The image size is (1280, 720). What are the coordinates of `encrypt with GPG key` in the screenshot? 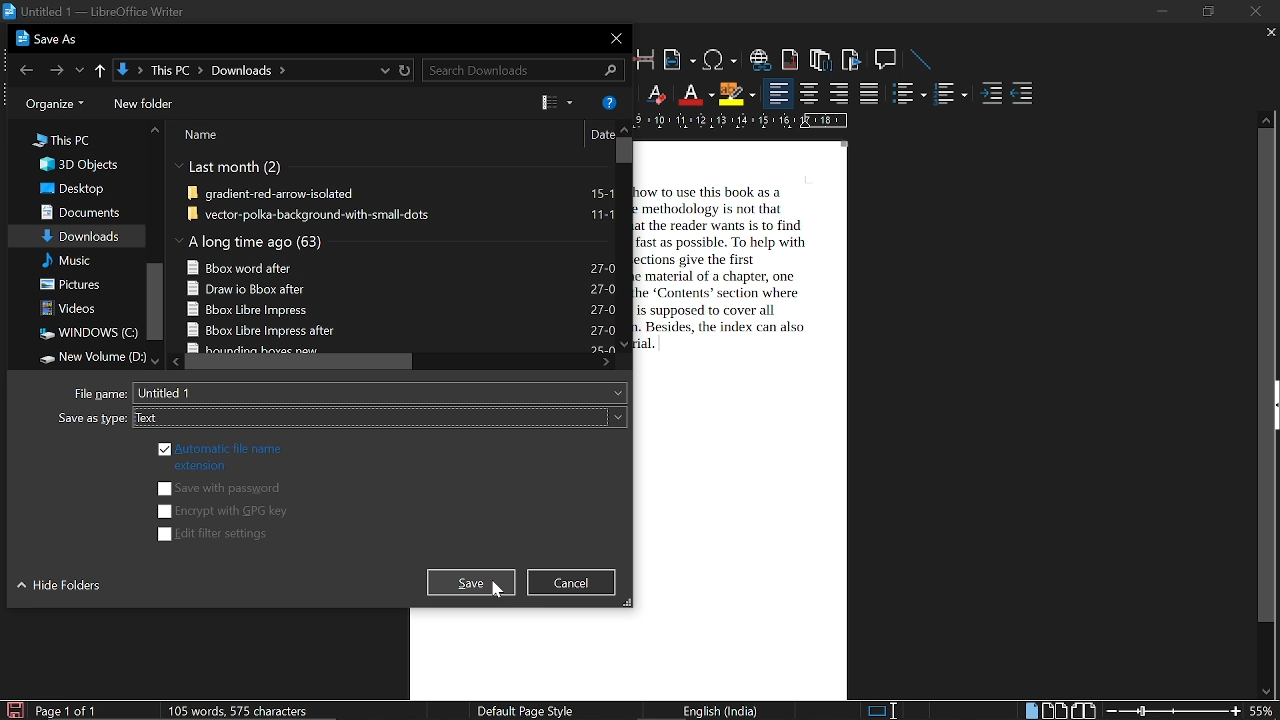 It's located at (221, 511).